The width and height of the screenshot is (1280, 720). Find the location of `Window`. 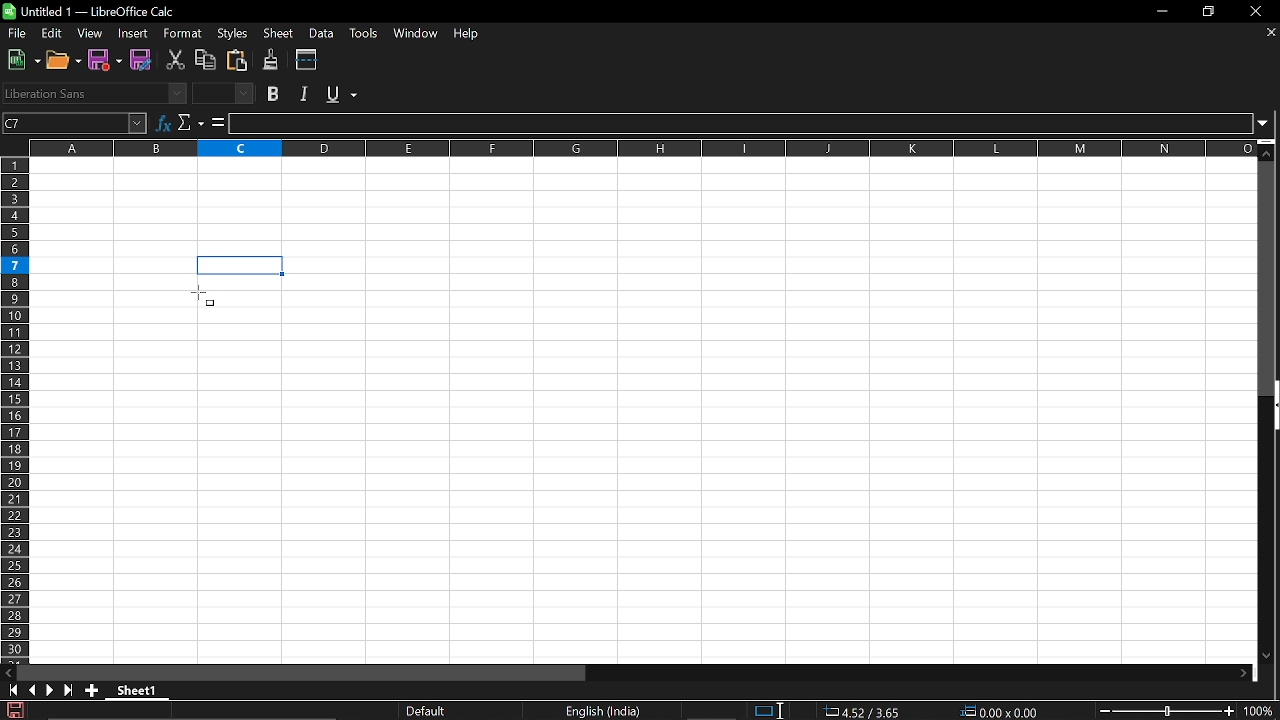

Window is located at coordinates (415, 34).